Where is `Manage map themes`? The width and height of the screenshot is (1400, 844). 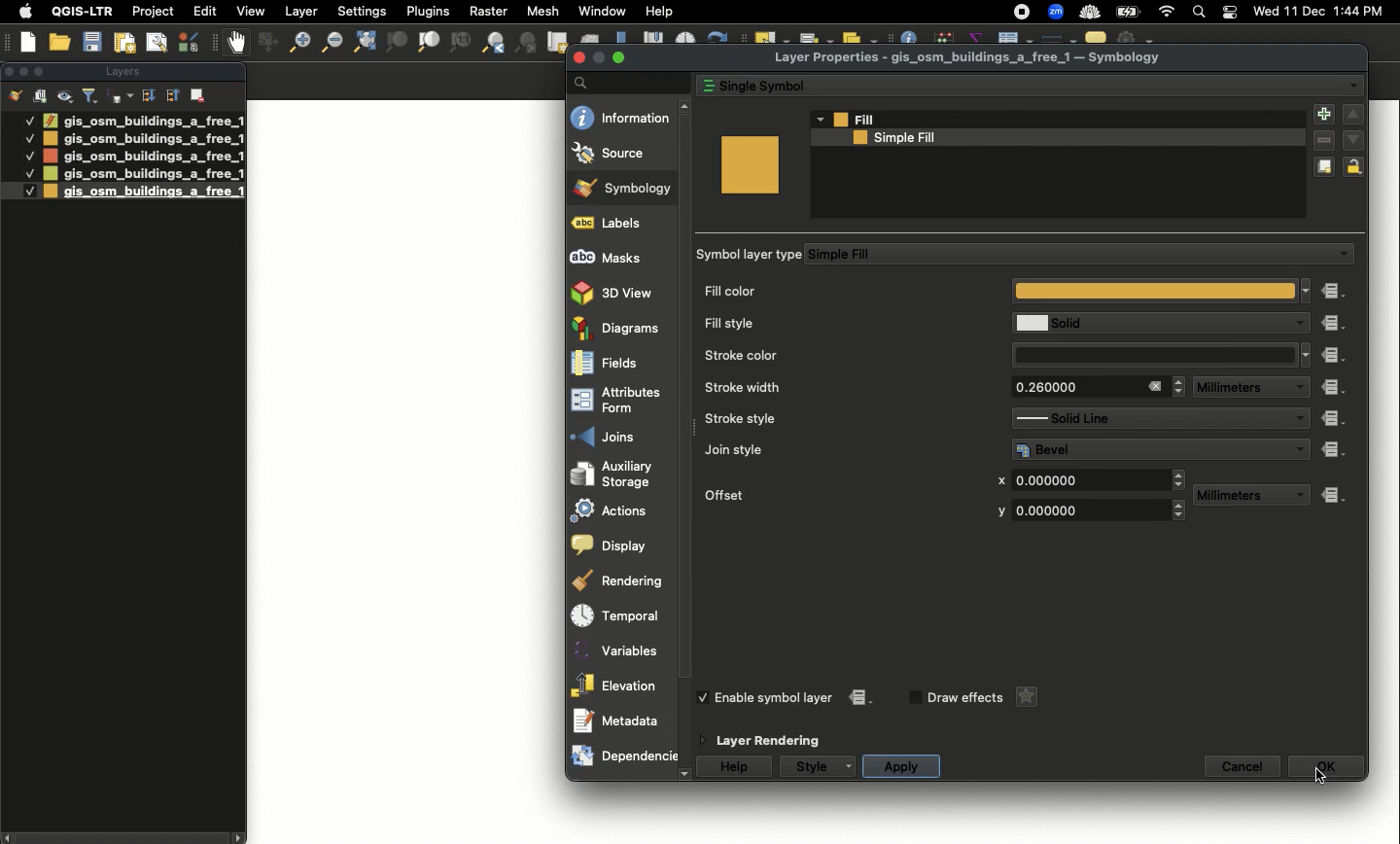 Manage map themes is located at coordinates (66, 96).